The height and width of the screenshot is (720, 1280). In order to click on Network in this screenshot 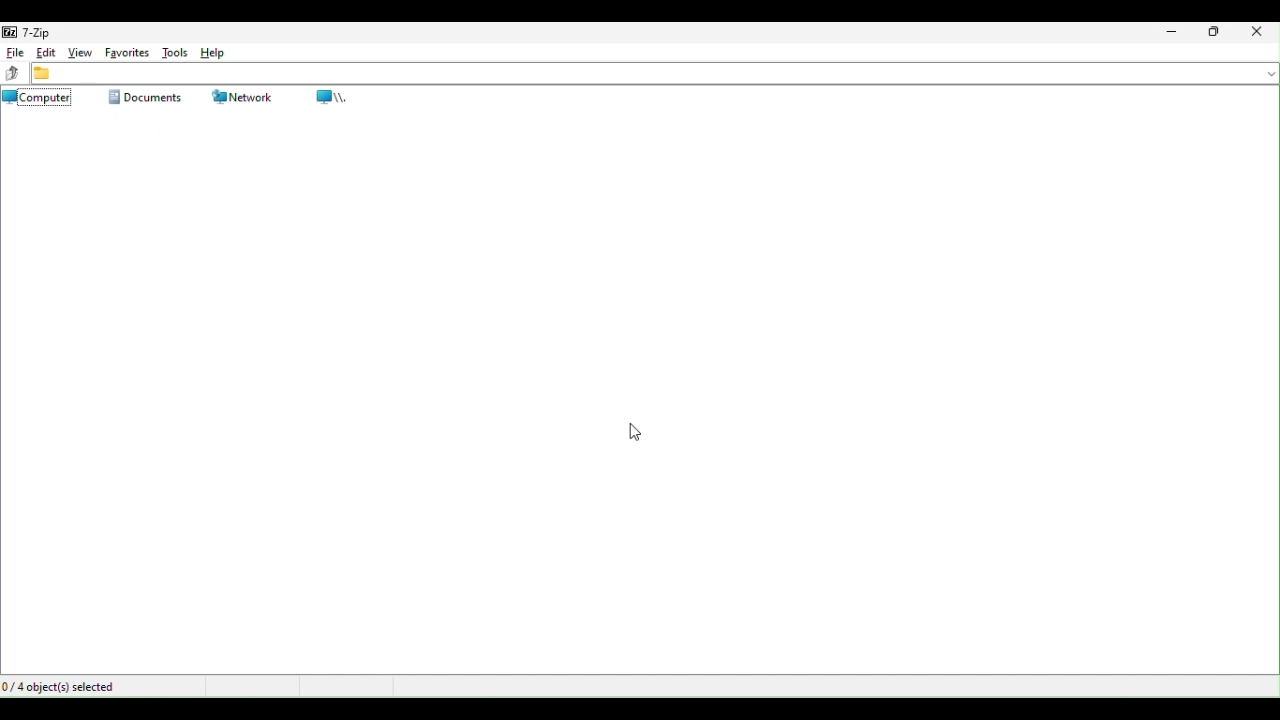, I will do `click(236, 97)`.